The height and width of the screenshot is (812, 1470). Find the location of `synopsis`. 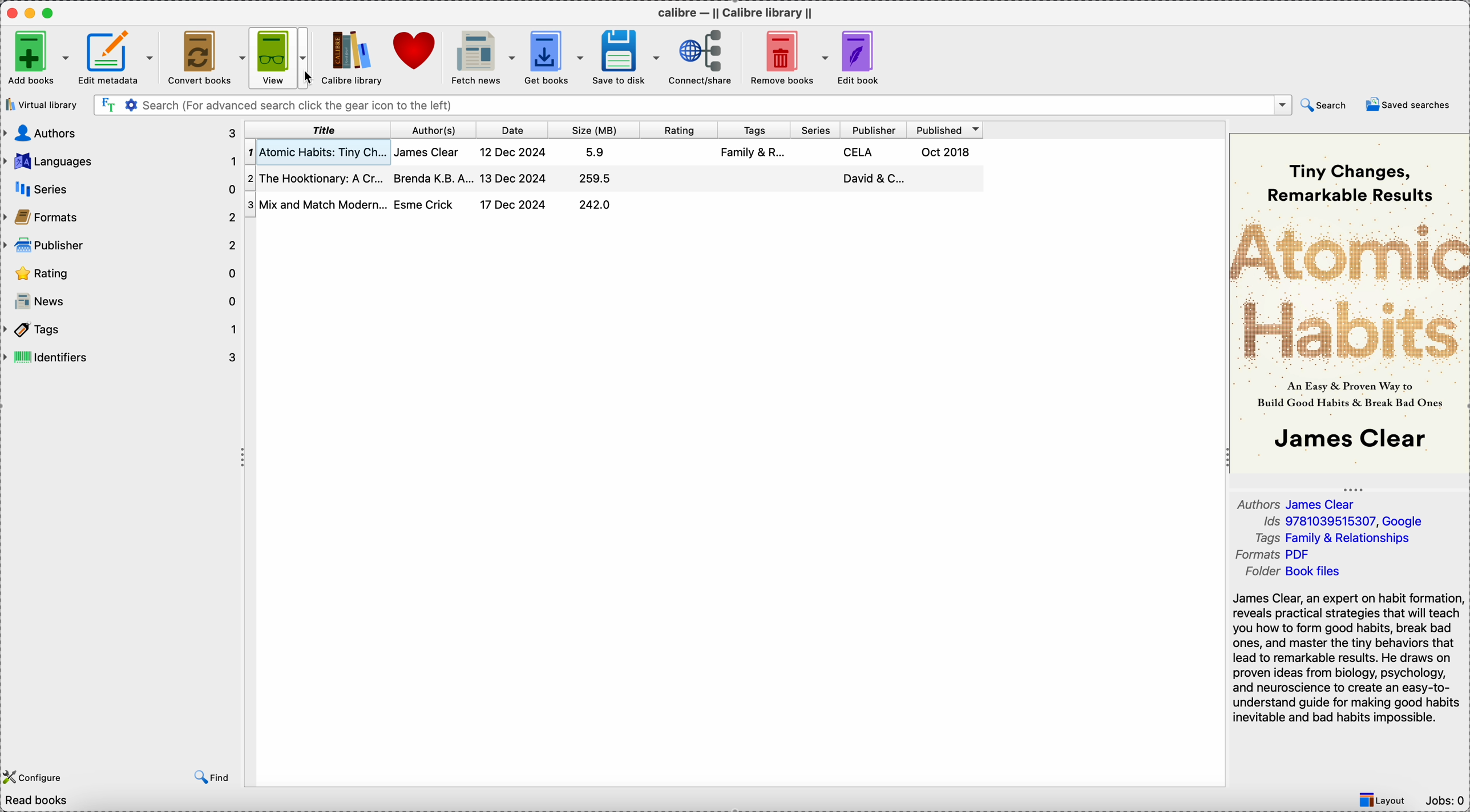

synopsis is located at coordinates (1348, 661).